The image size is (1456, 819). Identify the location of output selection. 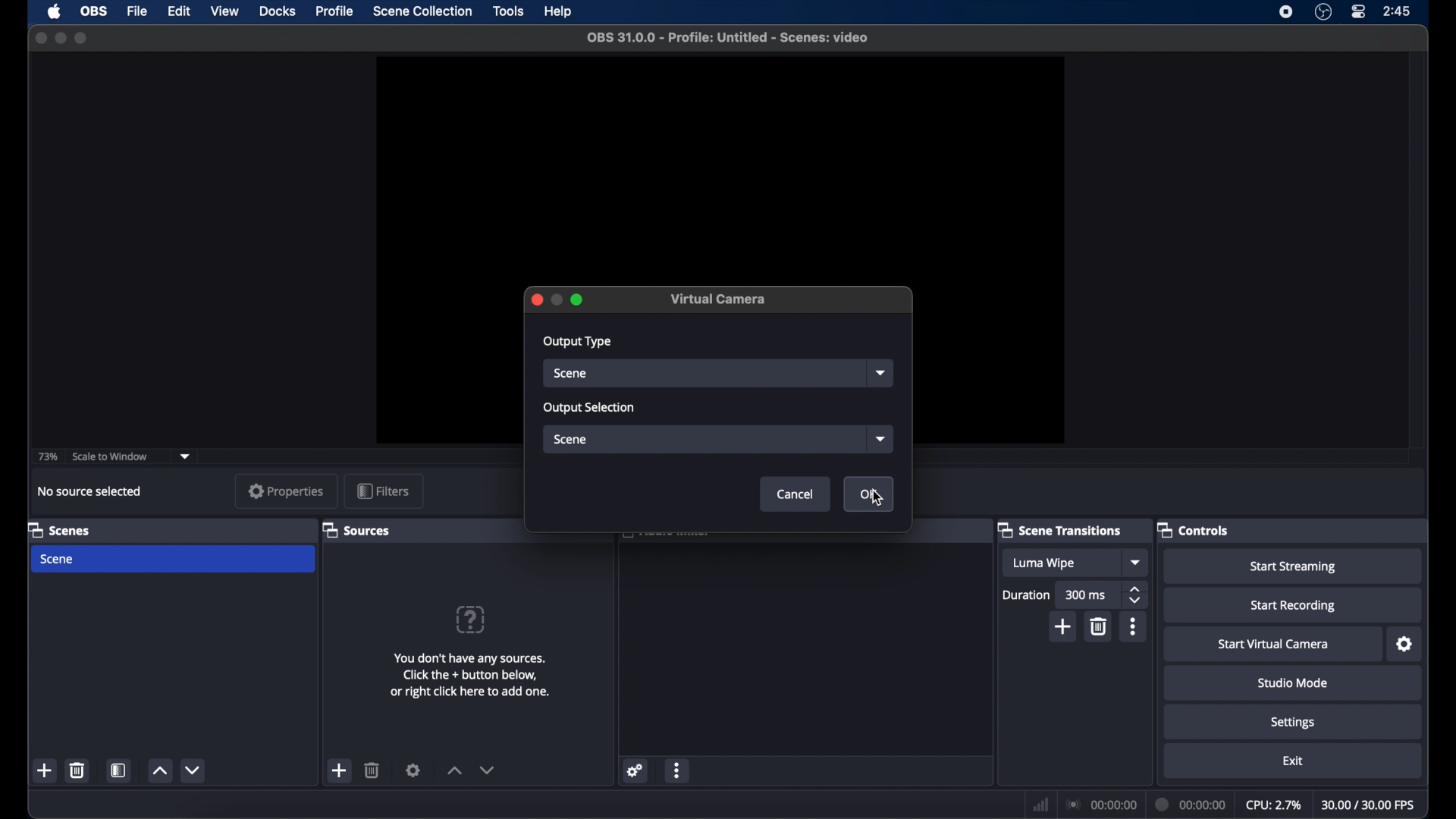
(588, 407).